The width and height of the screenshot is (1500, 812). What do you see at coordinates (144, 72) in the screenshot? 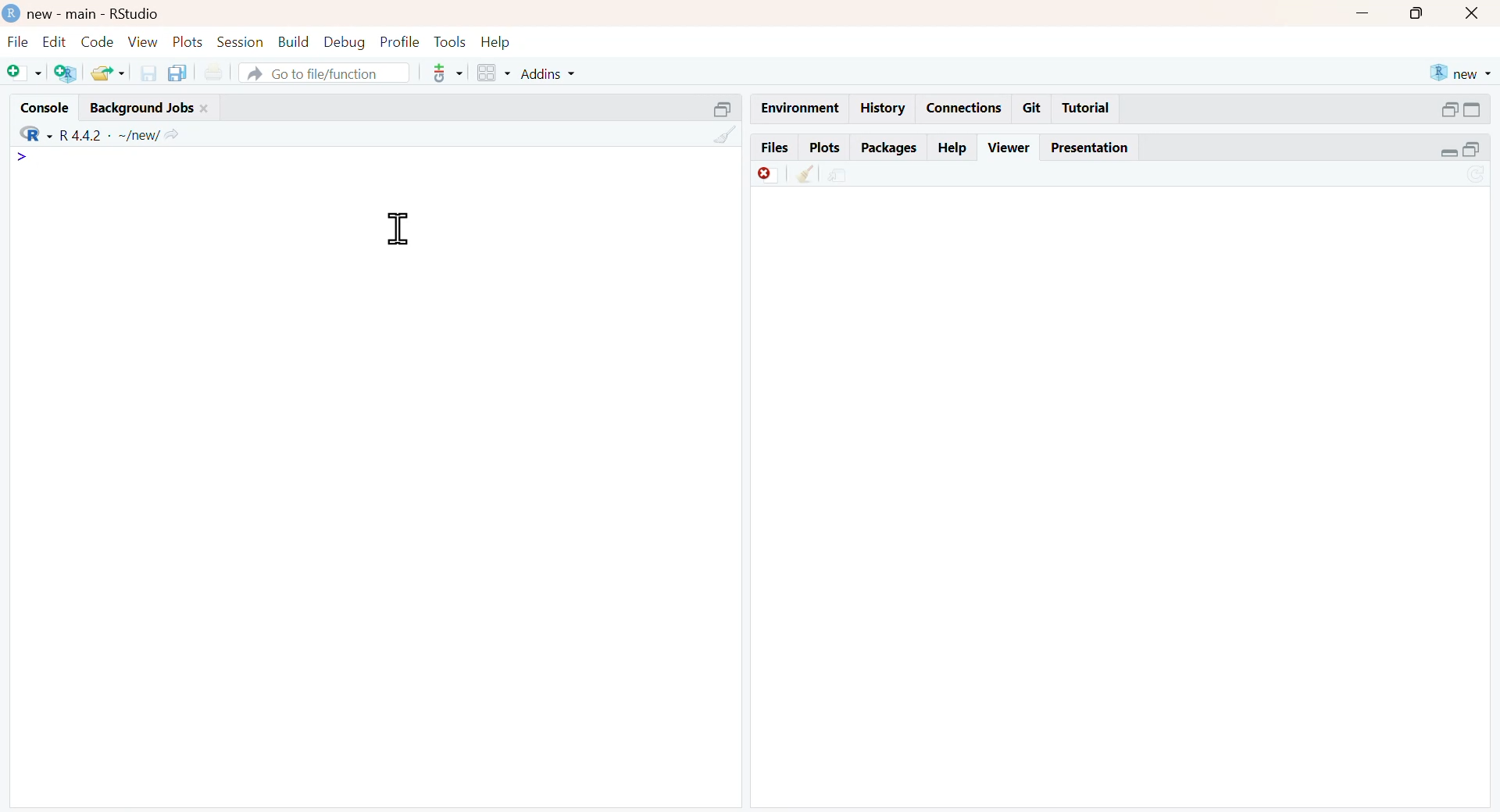
I see `Save current doc` at bounding box center [144, 72].